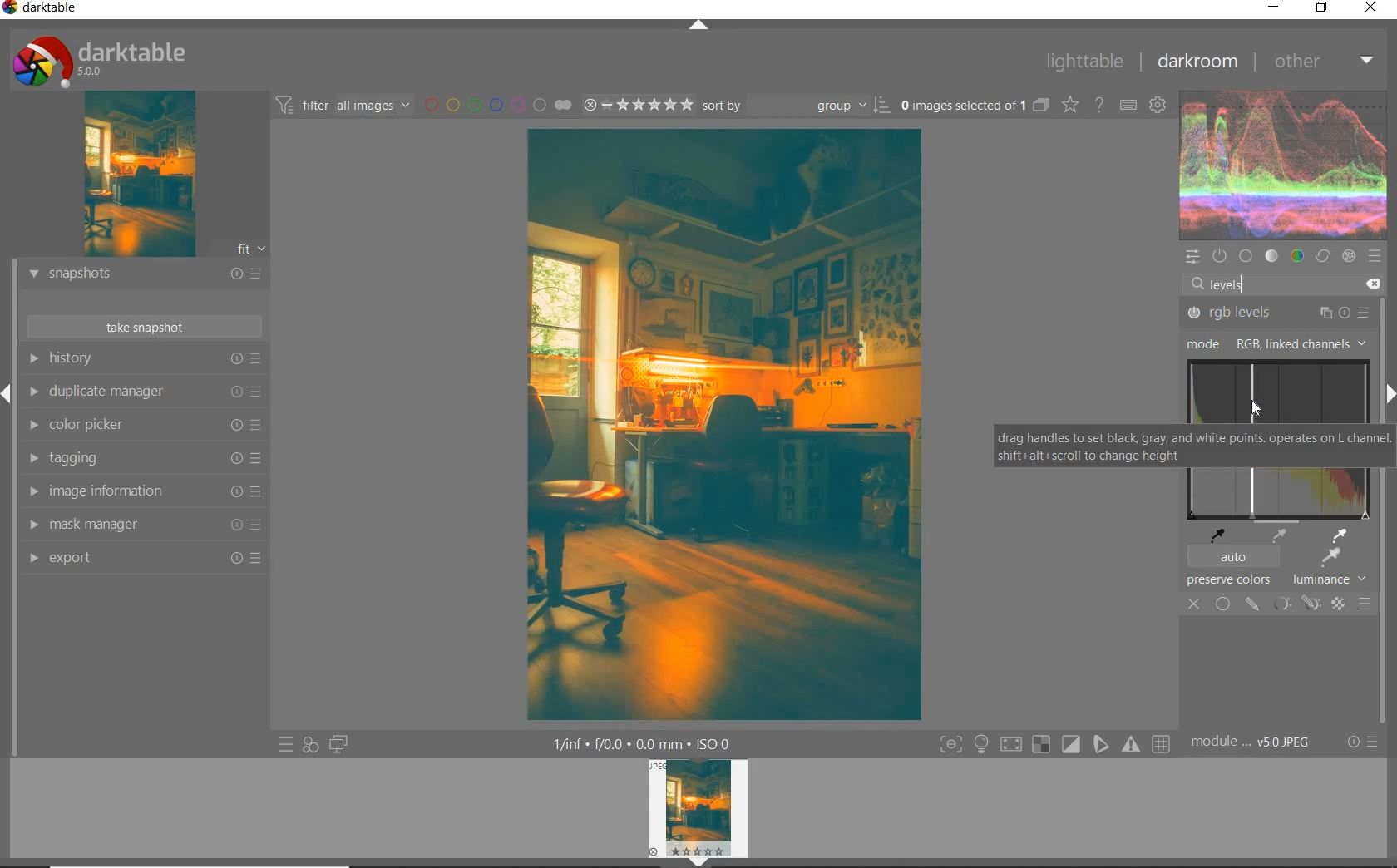 This screenshot has height=868, width=1397. Describe the element at coordinates (143, 392) in the screenshot. I see `duplicate manager` at that location.